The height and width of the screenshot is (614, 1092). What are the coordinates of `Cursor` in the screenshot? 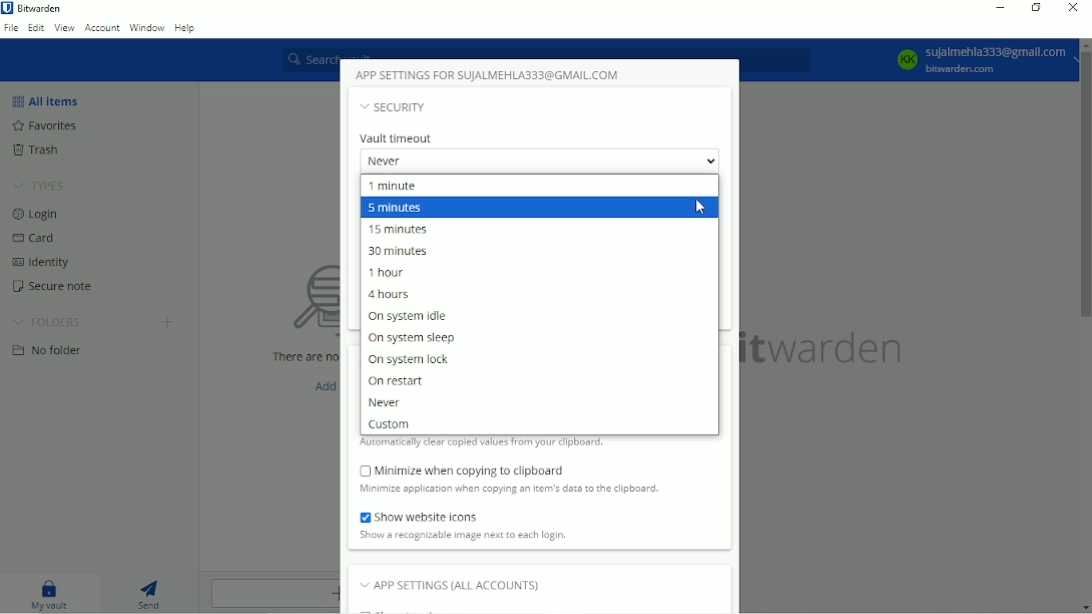 It's located at (700, 207).